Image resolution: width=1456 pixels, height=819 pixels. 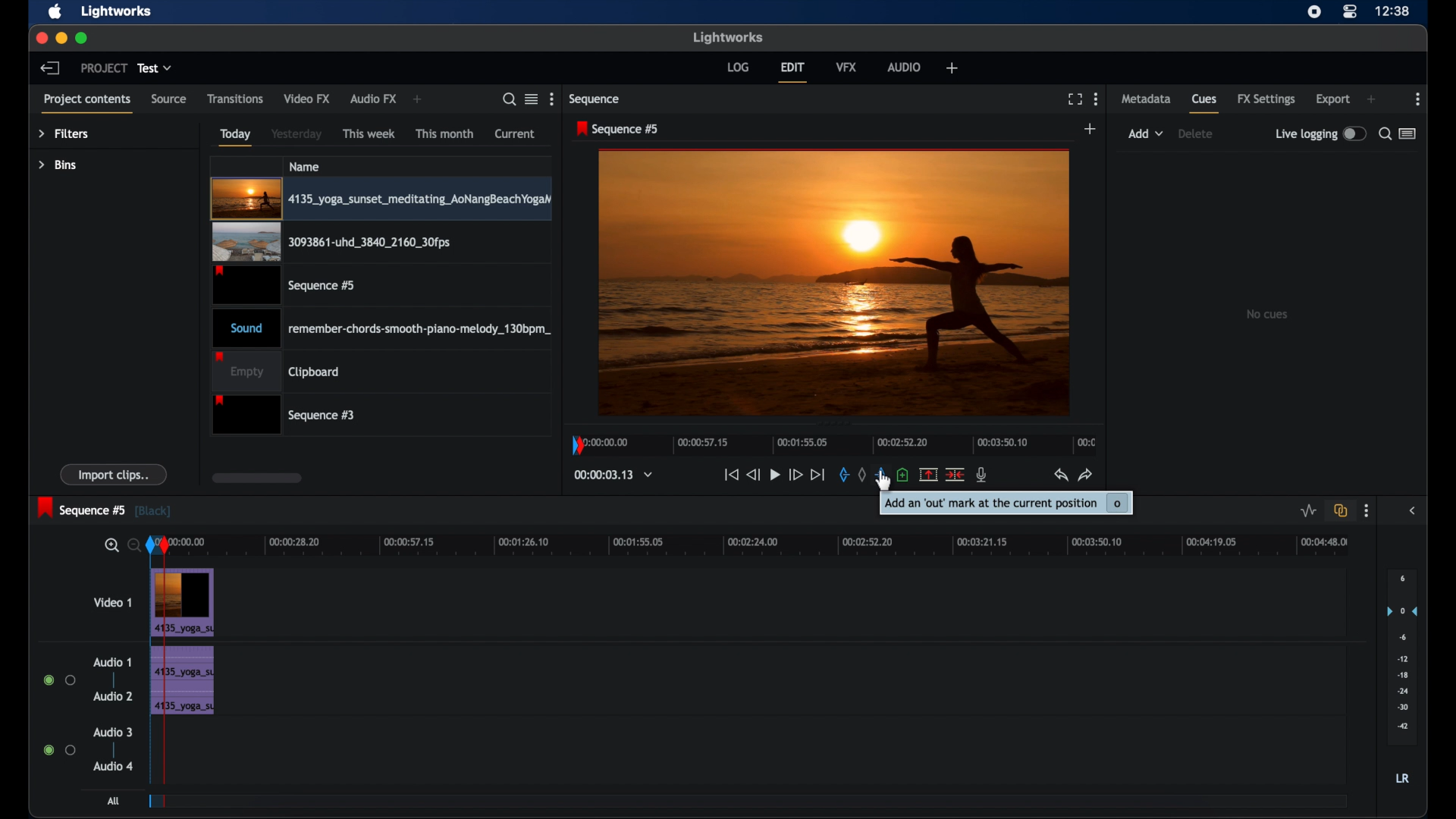 What do you see at coordinates (1198, 134) in the screenshot?
I see `delete` at bounding box center [1198, 134].